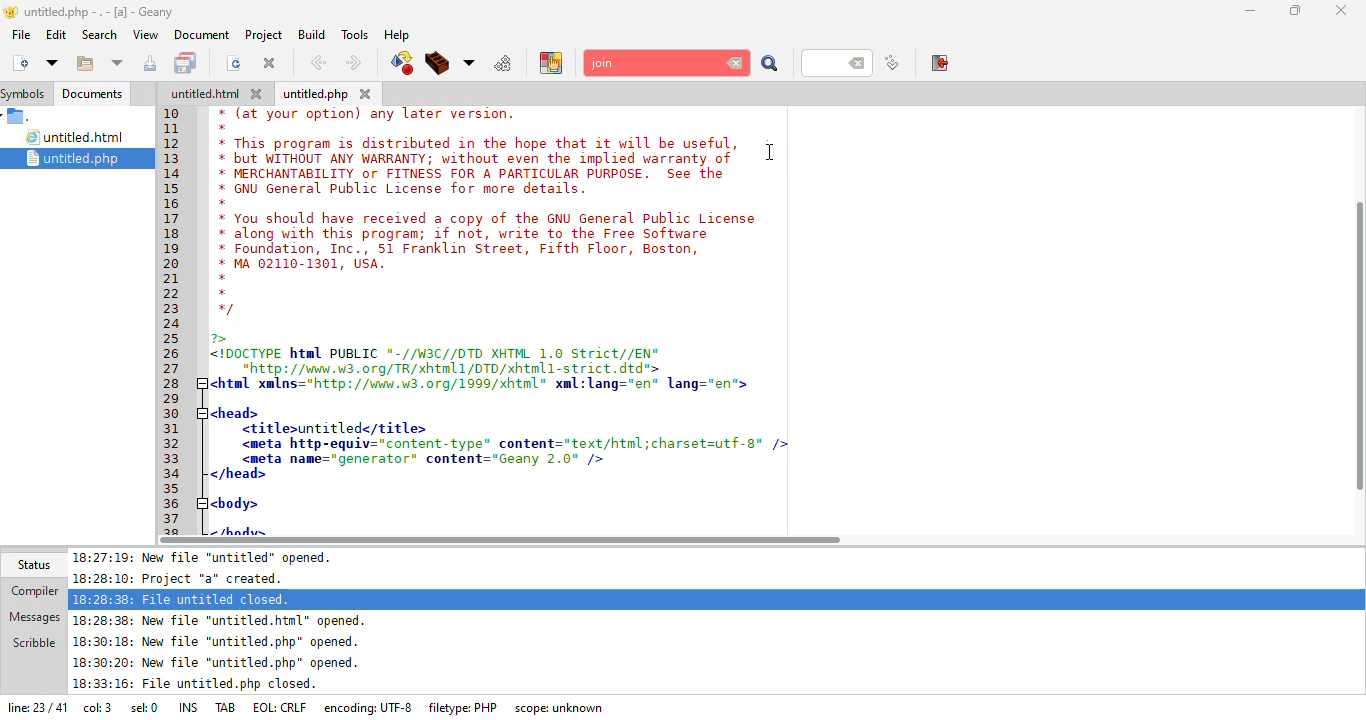 The width and height of the screenshot is (1366, 720). Describe the element at coordinates (464, 250) in the screenshot. I see `* Foundation, Inc., 51 Franklin Street, Fifth Floor, Boston,` at that location.